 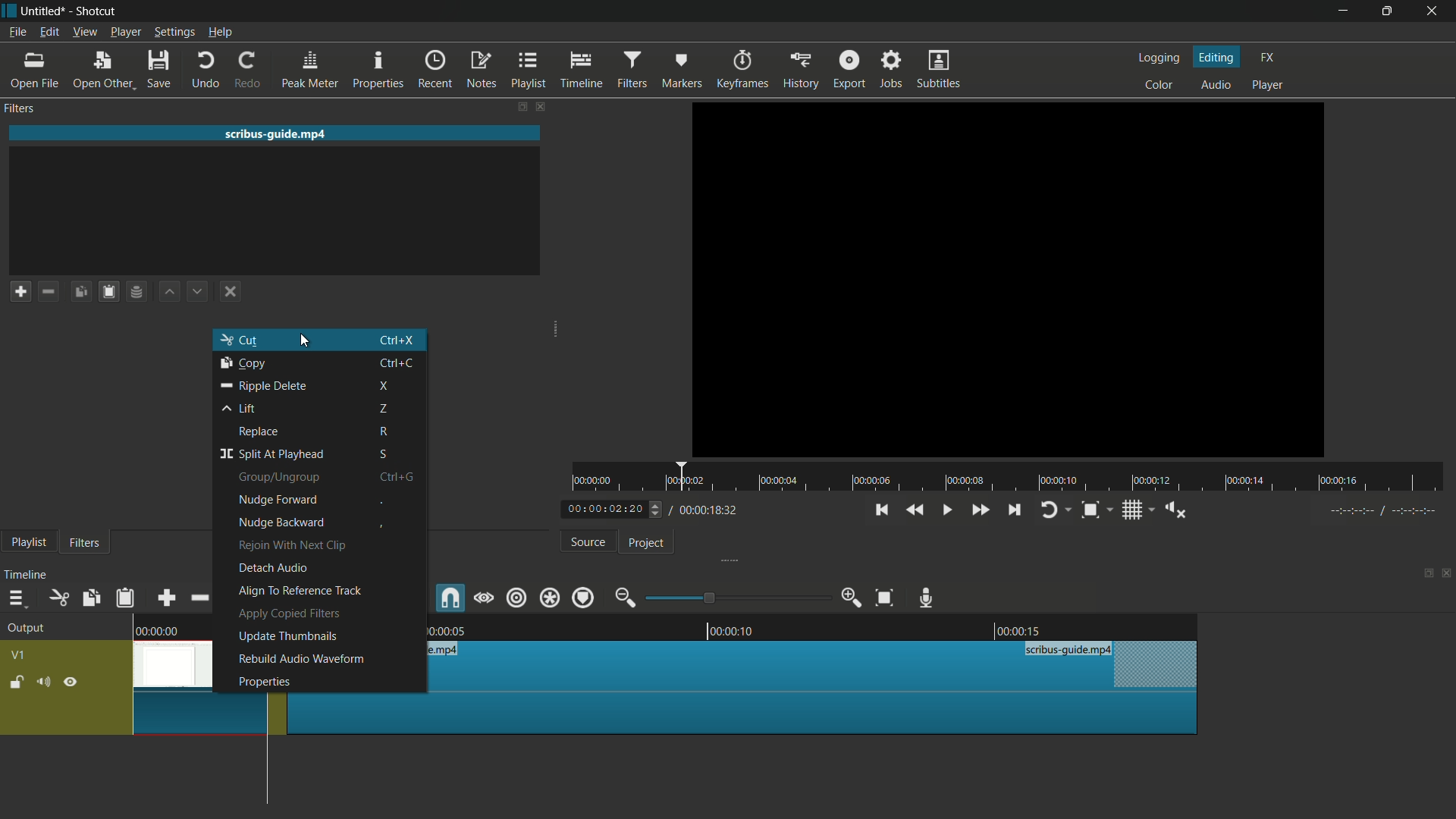 What do you see at coordinates (272, 568) in the screenshot?
I see `detach audio` at bounding box center [272, 568].